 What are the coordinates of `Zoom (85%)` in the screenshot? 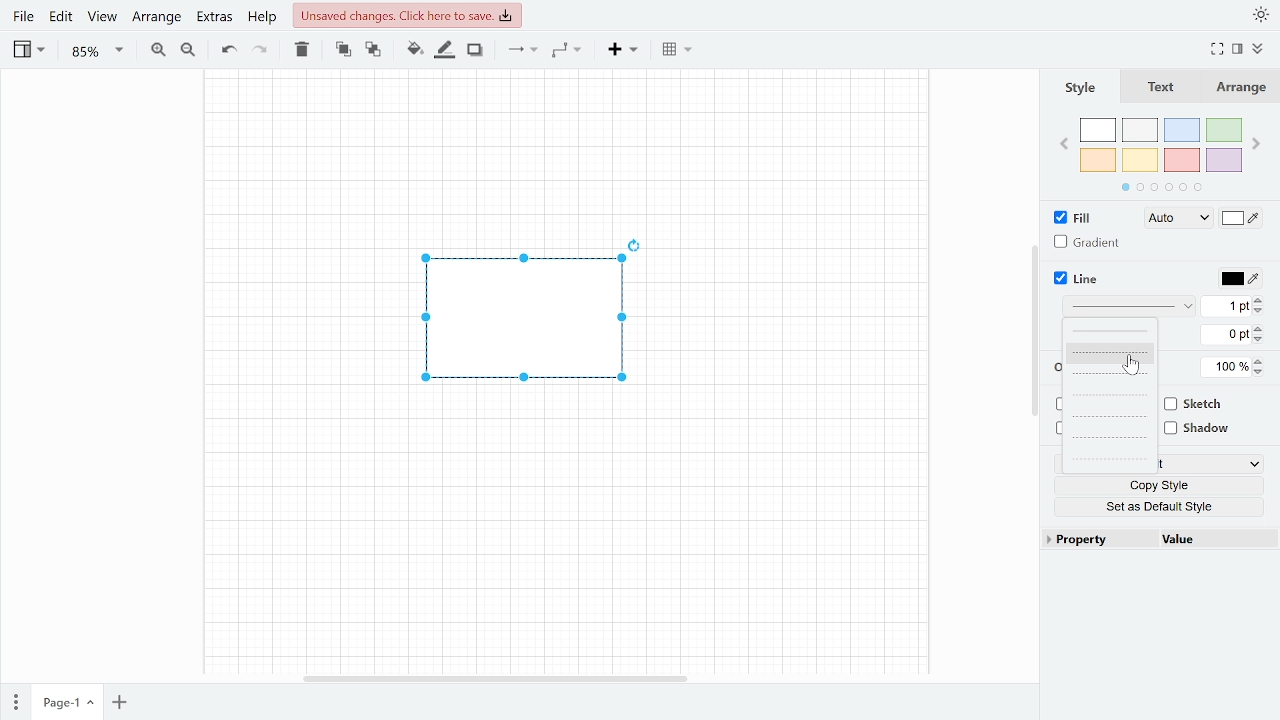 It's located at (94, 52).